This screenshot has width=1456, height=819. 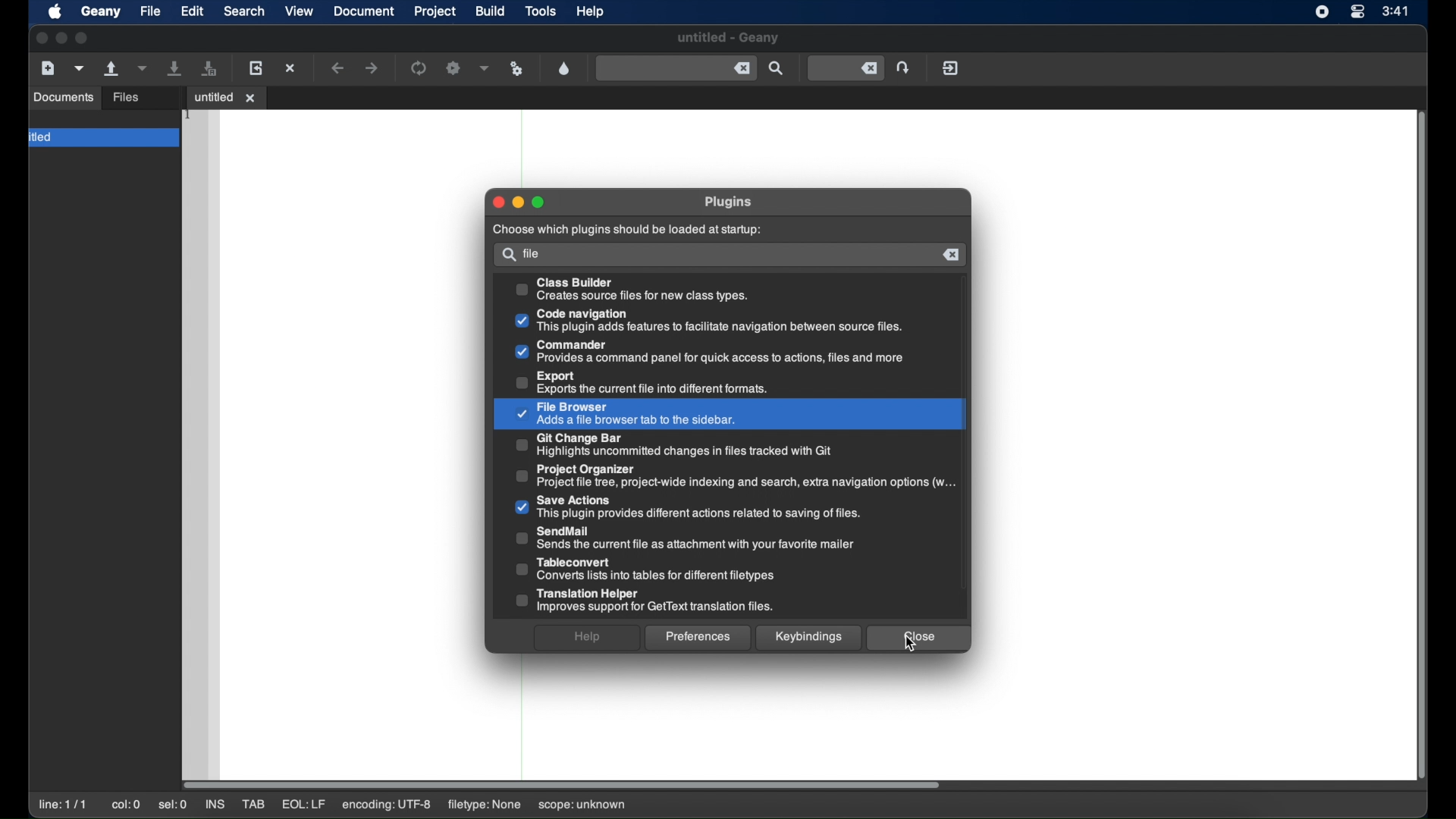 I want to click on run or view current file, so click(x=517, y=69).